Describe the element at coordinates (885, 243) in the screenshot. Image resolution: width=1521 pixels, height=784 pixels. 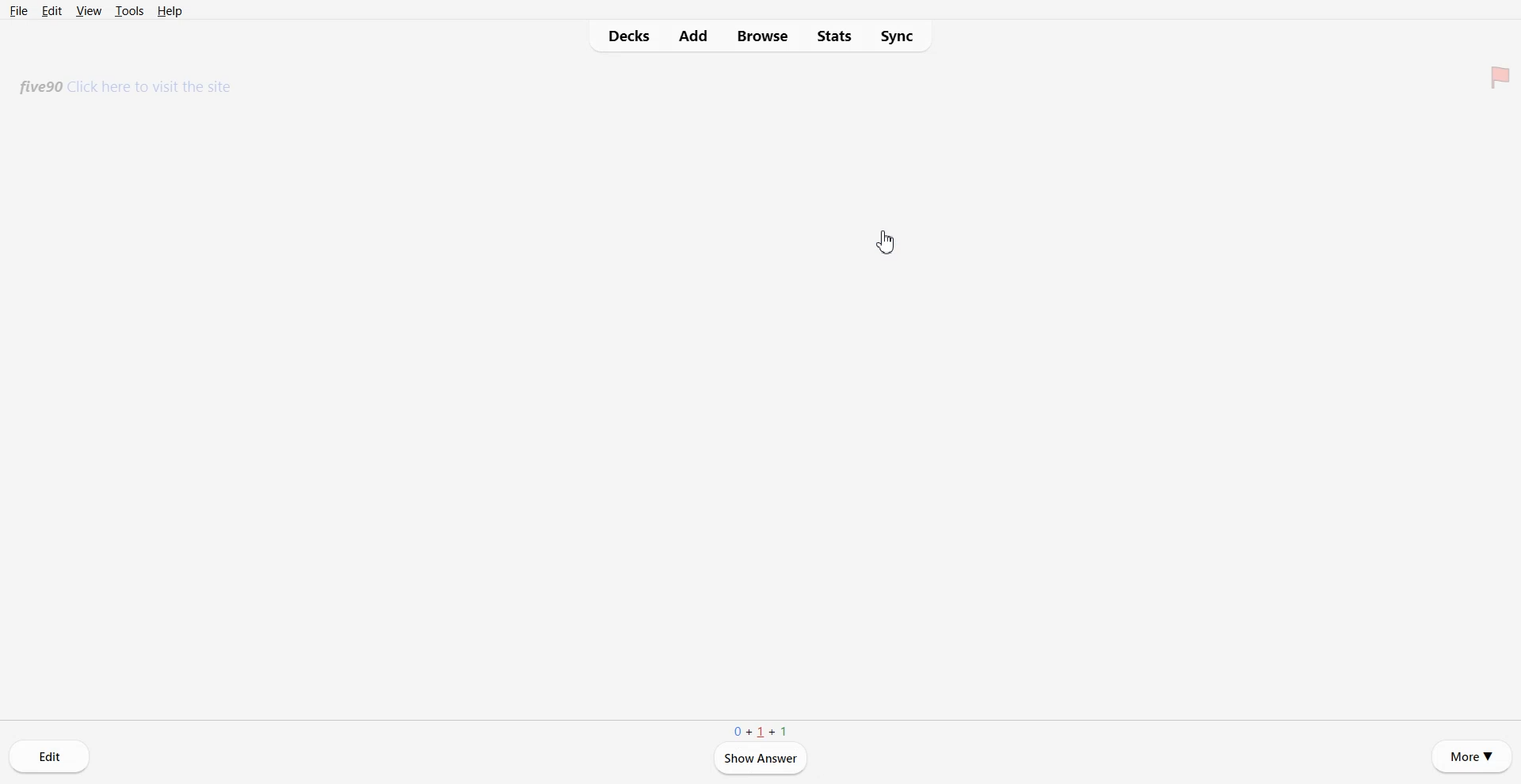
I see `Cursor` at that location.